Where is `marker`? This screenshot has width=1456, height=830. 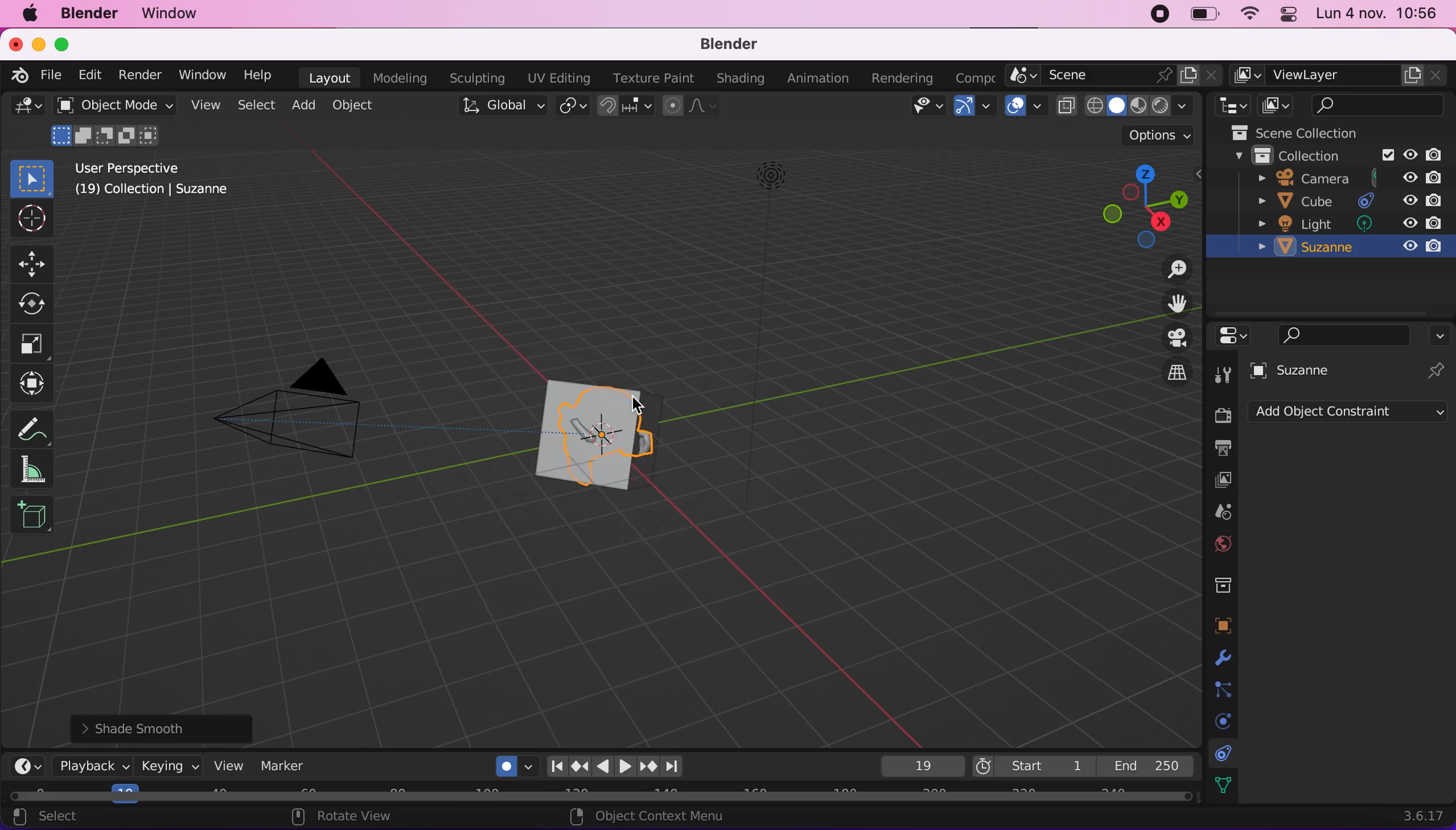
marker is located at coordinates (292, 764).